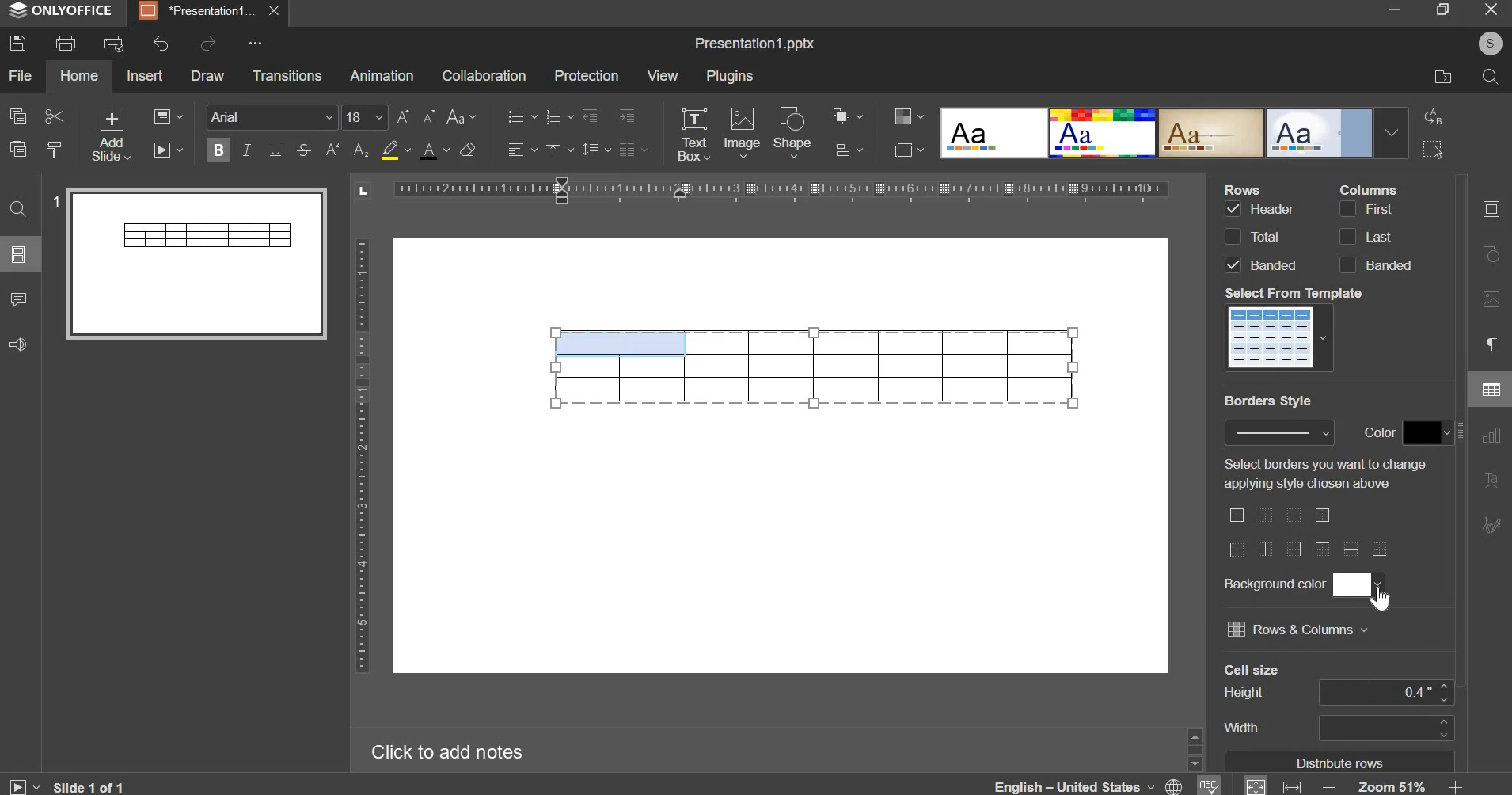 The height and width of the screenshot is (795, 1512). What do you see at coordinates (443, 749) in the screenshot?
I see `Click to add notes` at bounding box center [443, 749].